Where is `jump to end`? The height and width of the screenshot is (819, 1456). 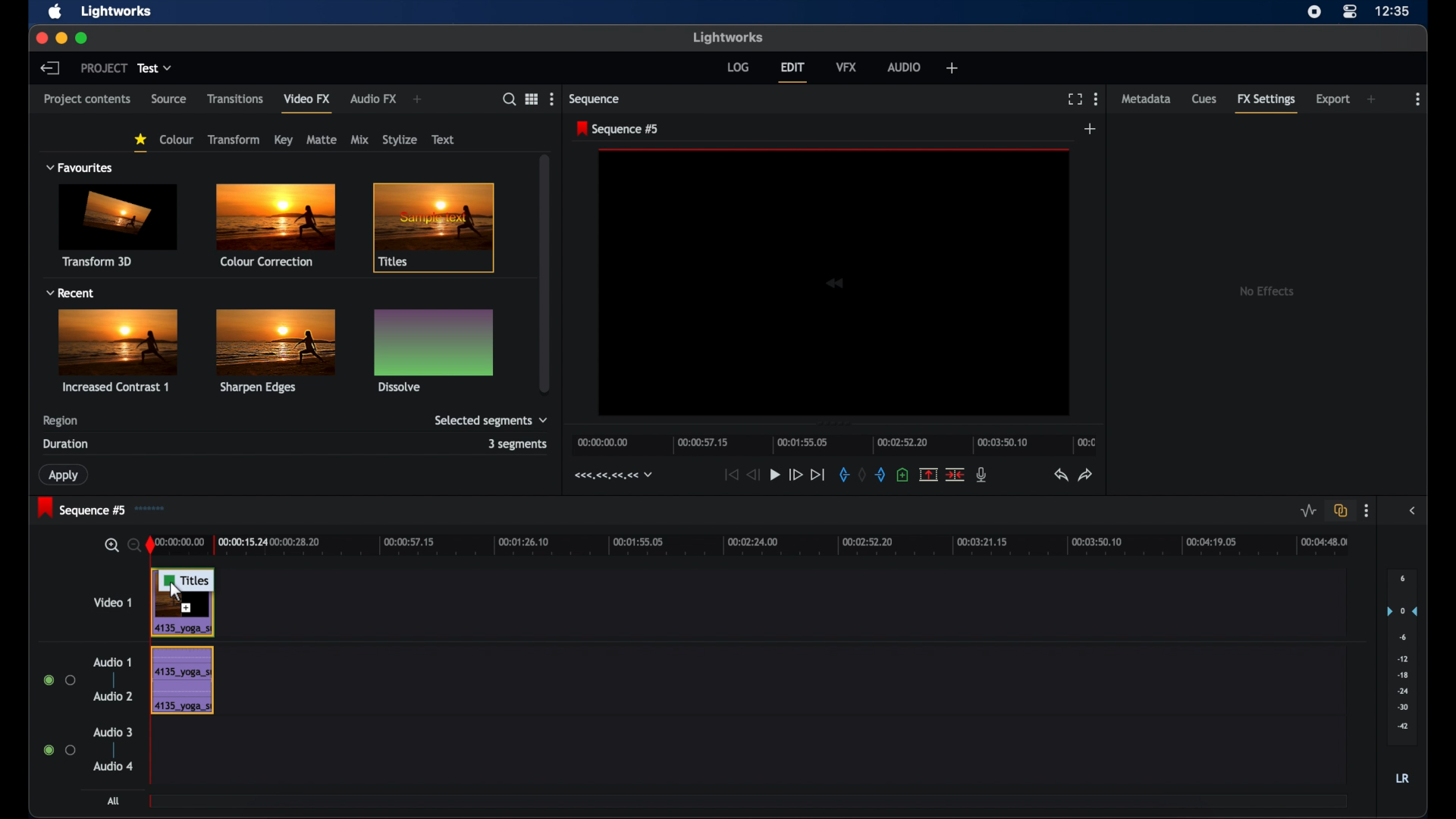 jump to end is located at coordinates (817, 474).